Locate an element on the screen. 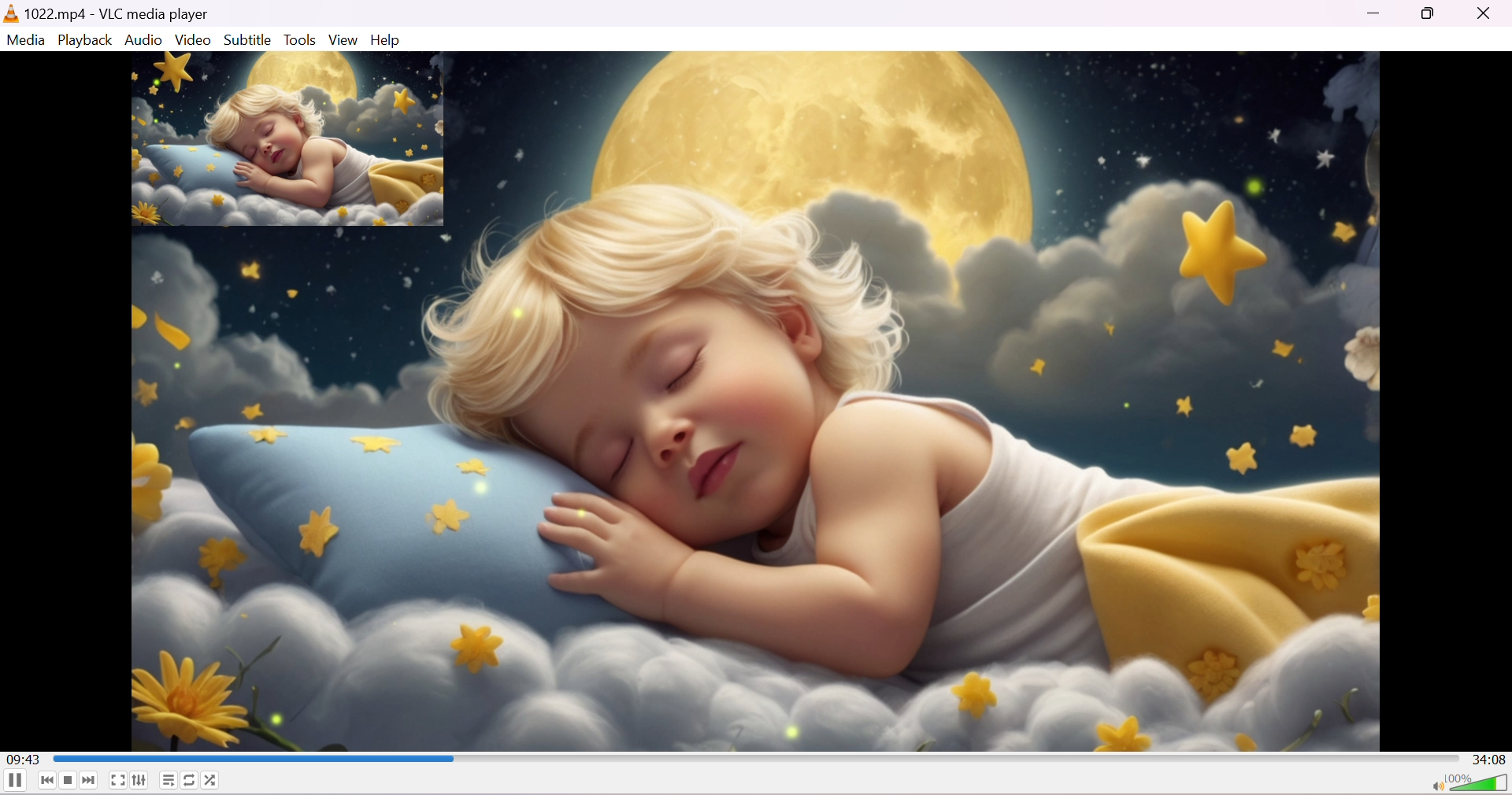 The height and width of the screenshot is (795, 1512). Stop playback is located at coordinates (69, 780).